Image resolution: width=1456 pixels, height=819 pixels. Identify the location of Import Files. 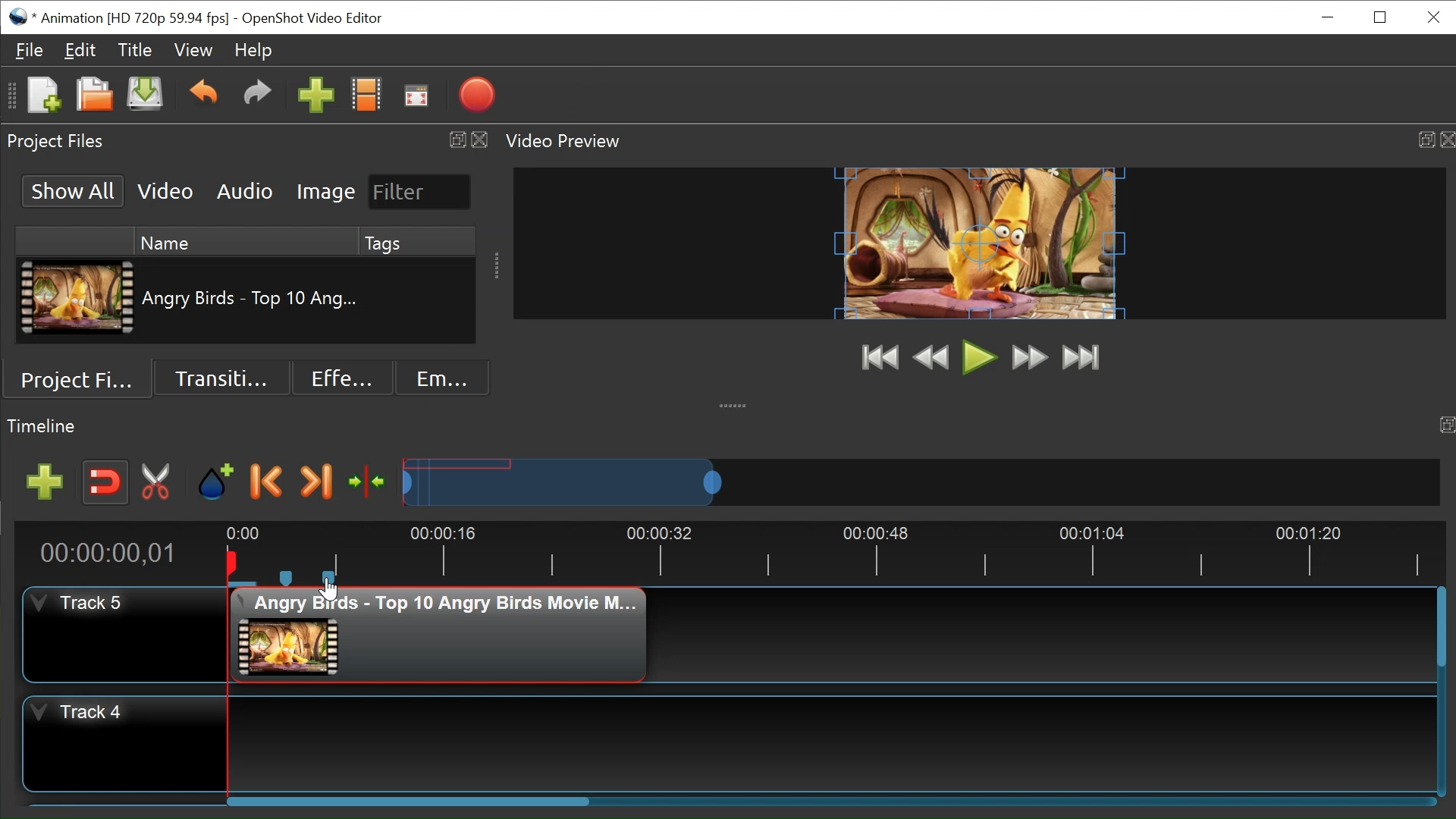
(315, 99).